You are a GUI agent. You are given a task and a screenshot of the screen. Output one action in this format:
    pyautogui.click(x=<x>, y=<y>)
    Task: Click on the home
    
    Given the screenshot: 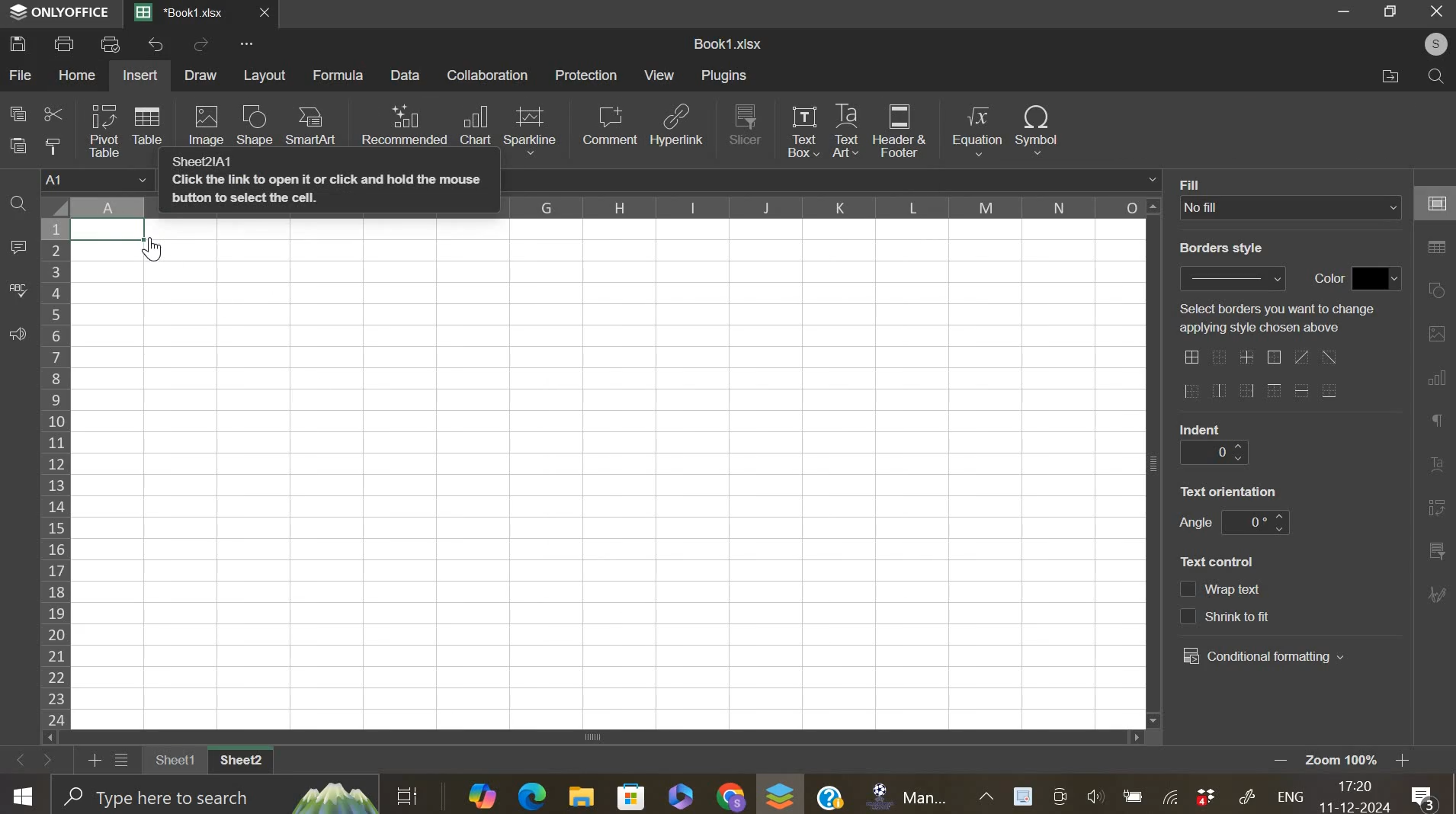 What is the action you would take?
    pyautogui.click(x=75, y=75)
    